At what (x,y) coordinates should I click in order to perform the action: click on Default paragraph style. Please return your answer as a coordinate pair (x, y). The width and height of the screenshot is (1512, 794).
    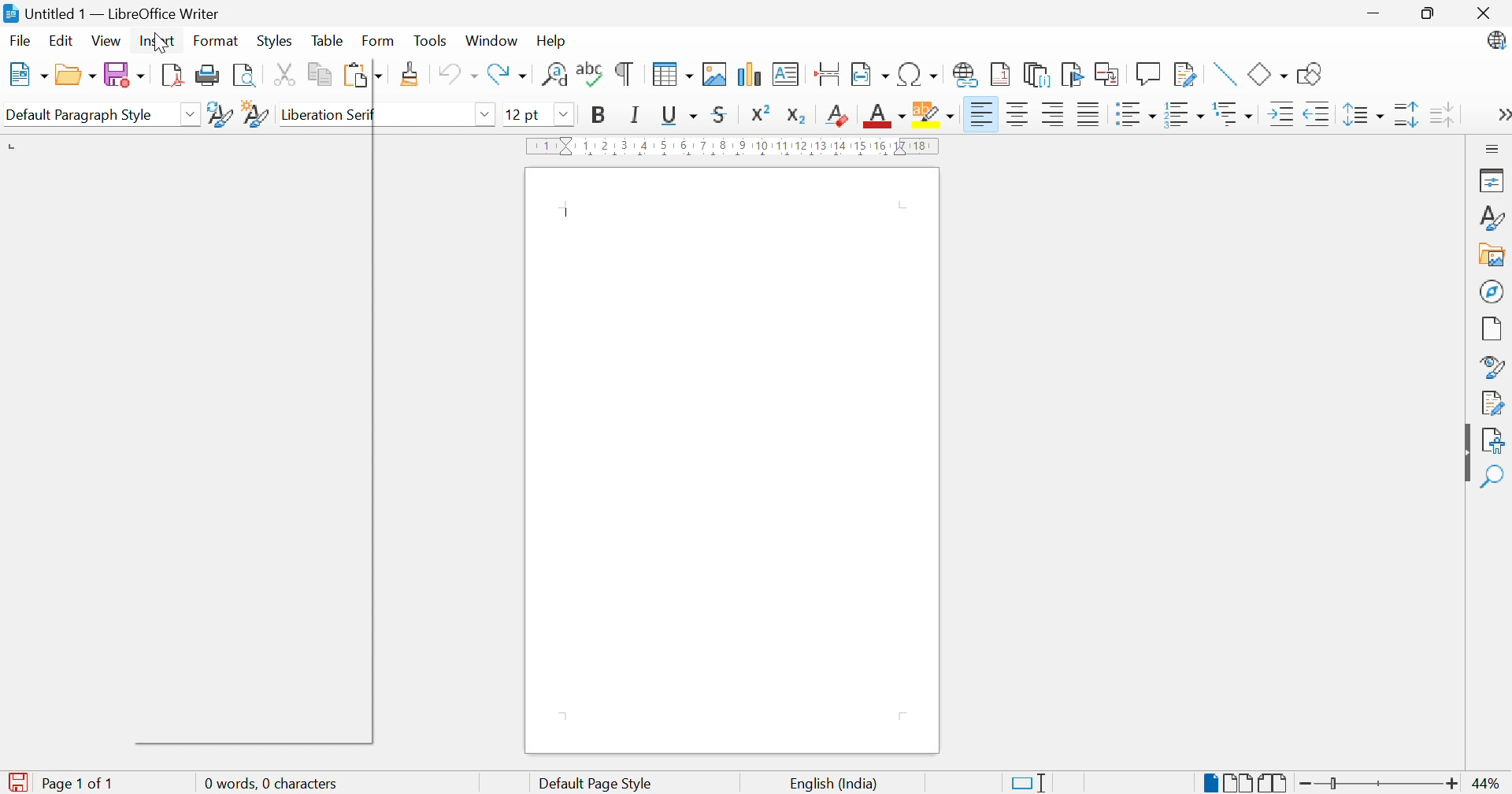
    Looking at the image, I should click on (80, 117).